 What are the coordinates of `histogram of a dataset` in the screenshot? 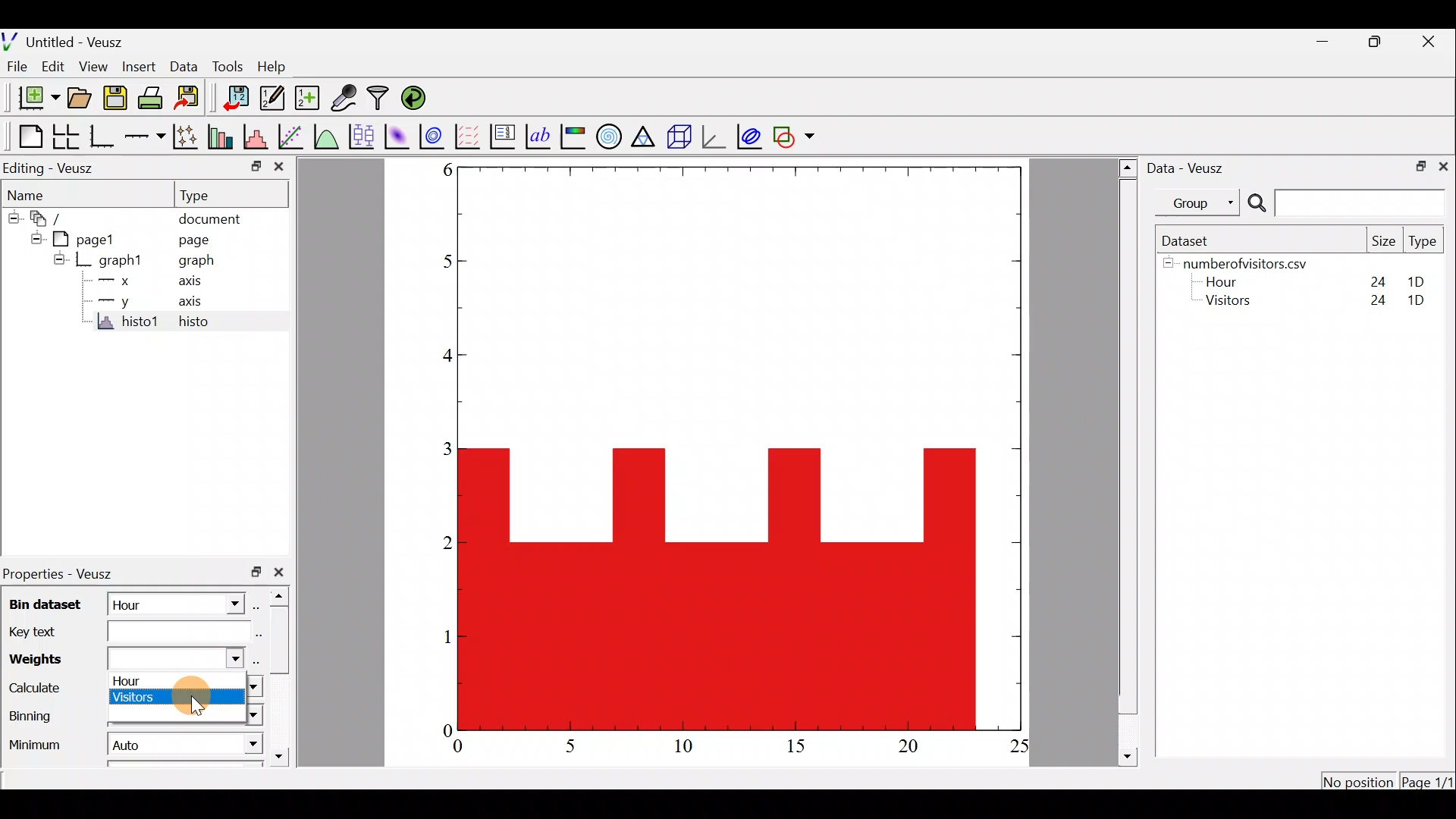 It's located at (256, 133).